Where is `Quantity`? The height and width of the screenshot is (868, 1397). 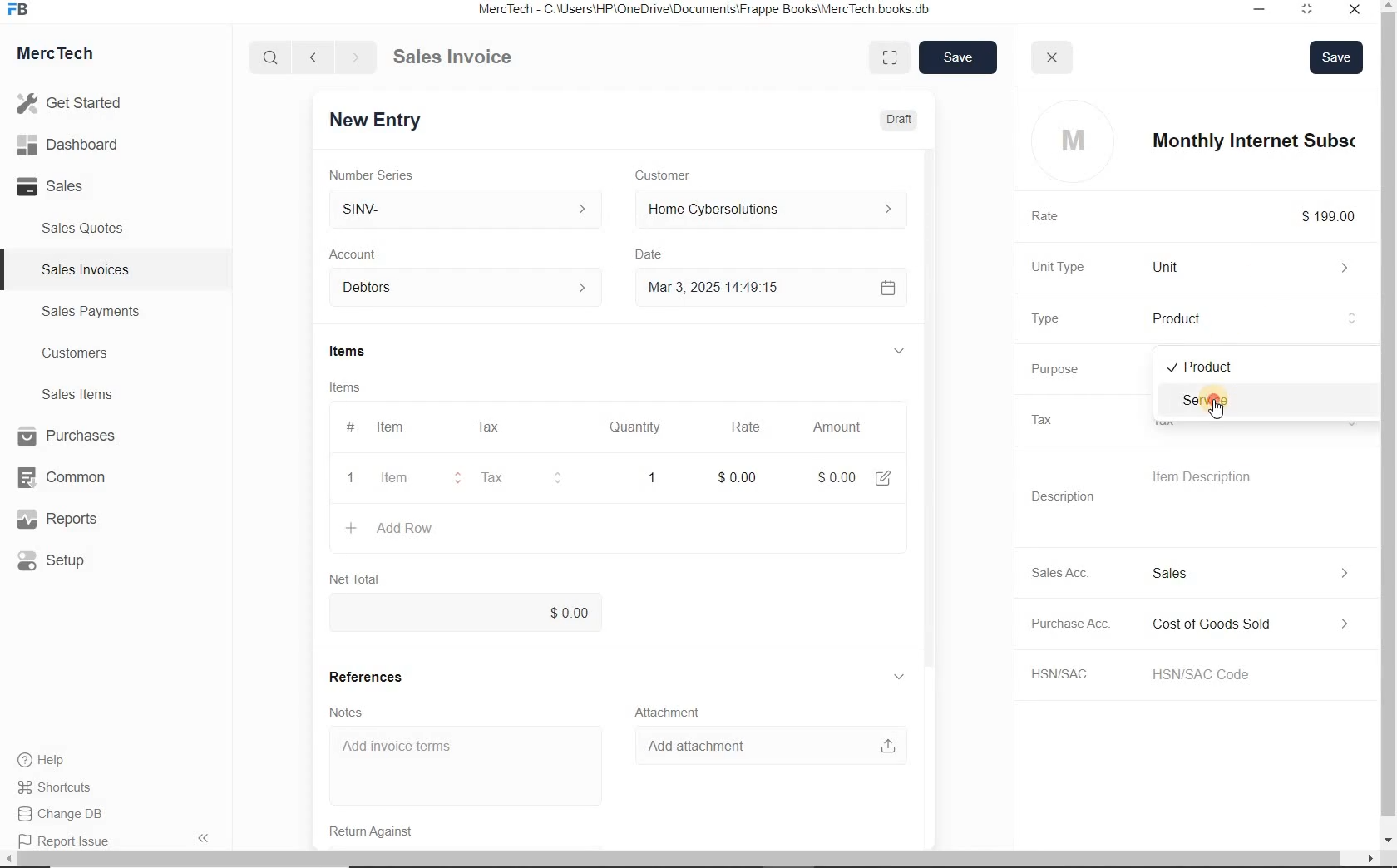
Quantity is located at coordinates (644, 427).